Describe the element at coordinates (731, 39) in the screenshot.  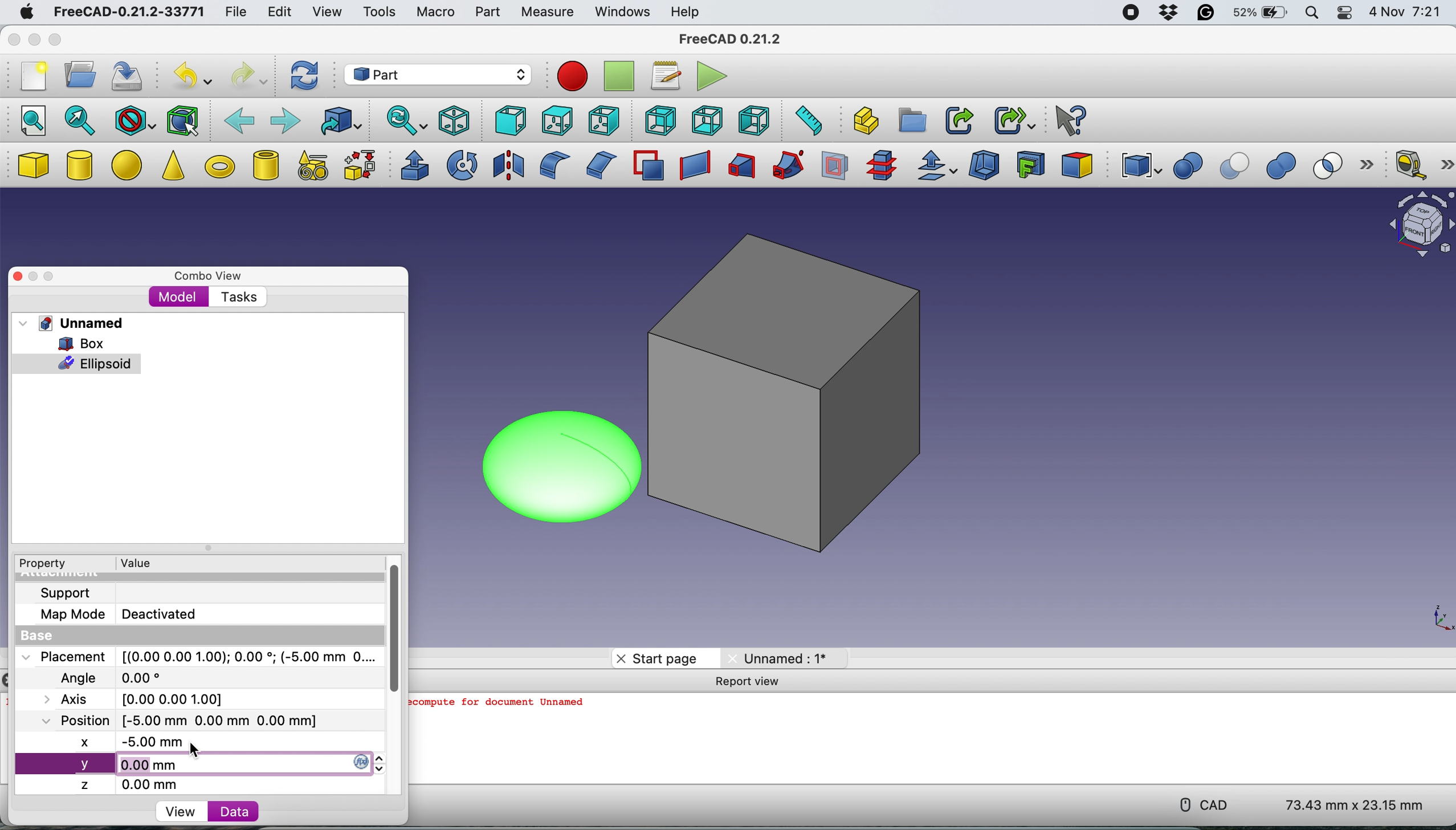
I see `FreeCAD 0.21.2` at that location.